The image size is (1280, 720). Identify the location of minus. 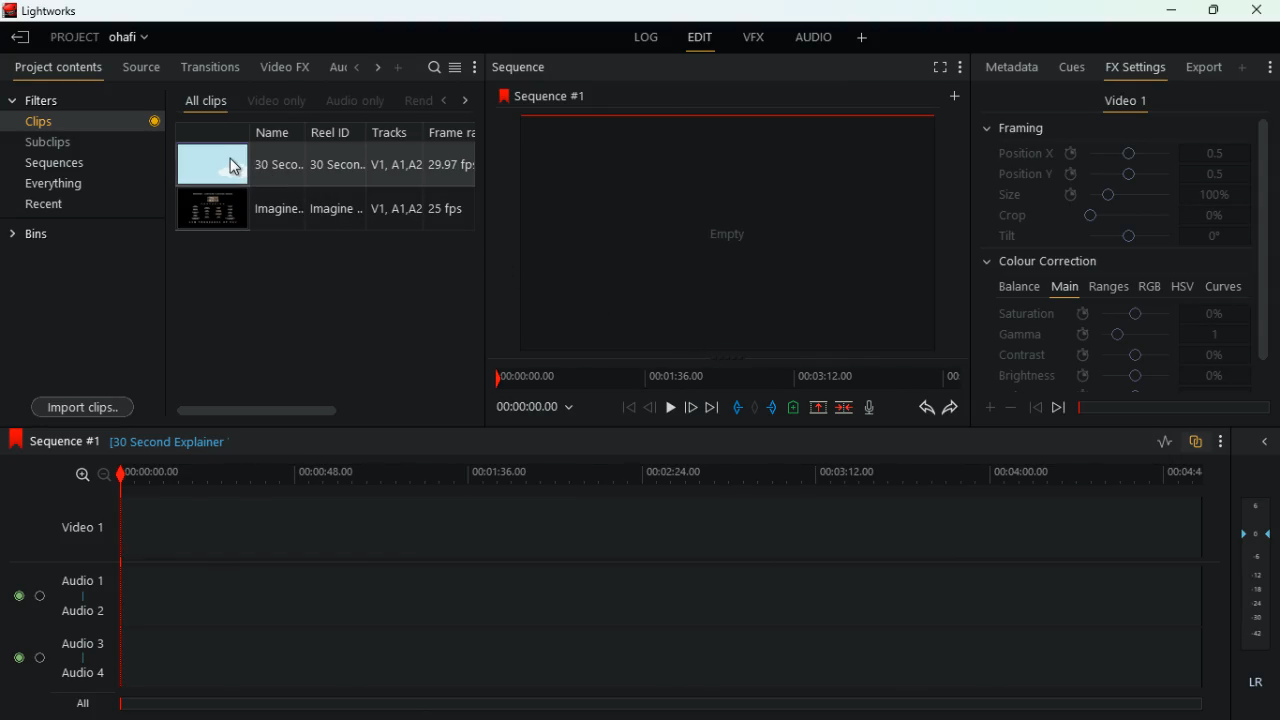
(1014, 408).